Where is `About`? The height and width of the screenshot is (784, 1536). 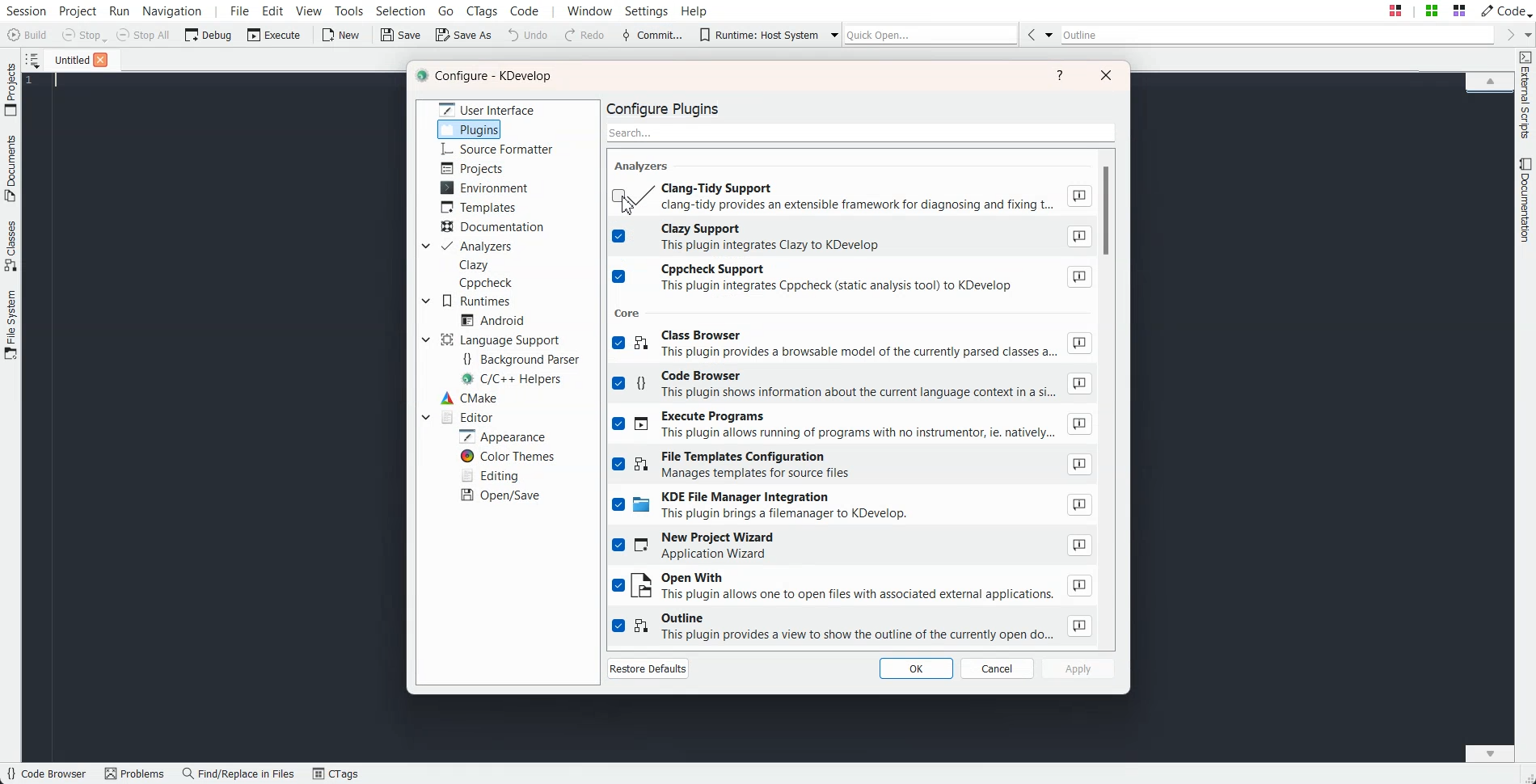
About is located at coordinates (1080, 505).